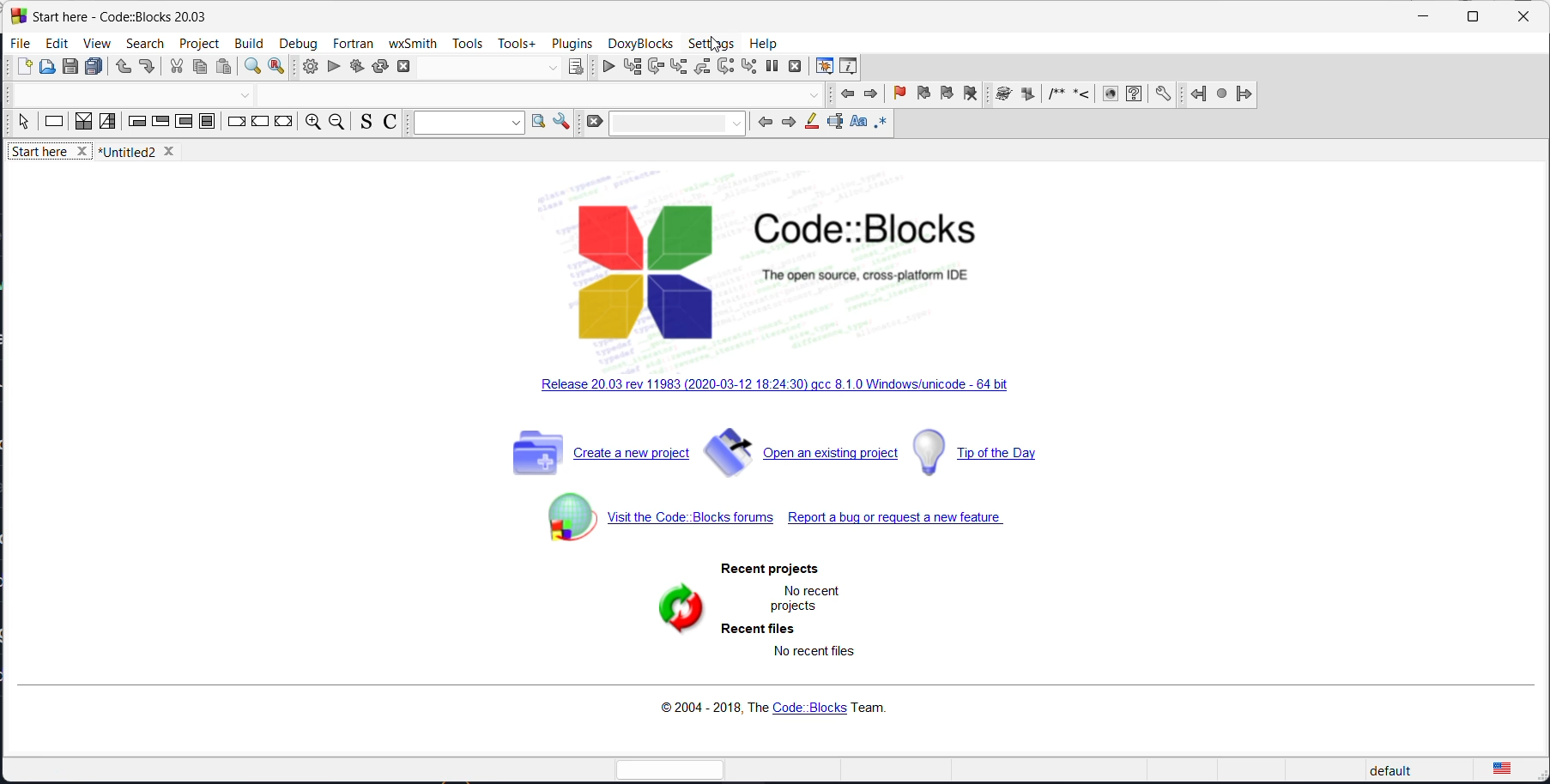 This screenshot has width=1550, height=784. Describe the element at coordinates (160, 124) in the screenshot. I see `exit condition loop` at that location.